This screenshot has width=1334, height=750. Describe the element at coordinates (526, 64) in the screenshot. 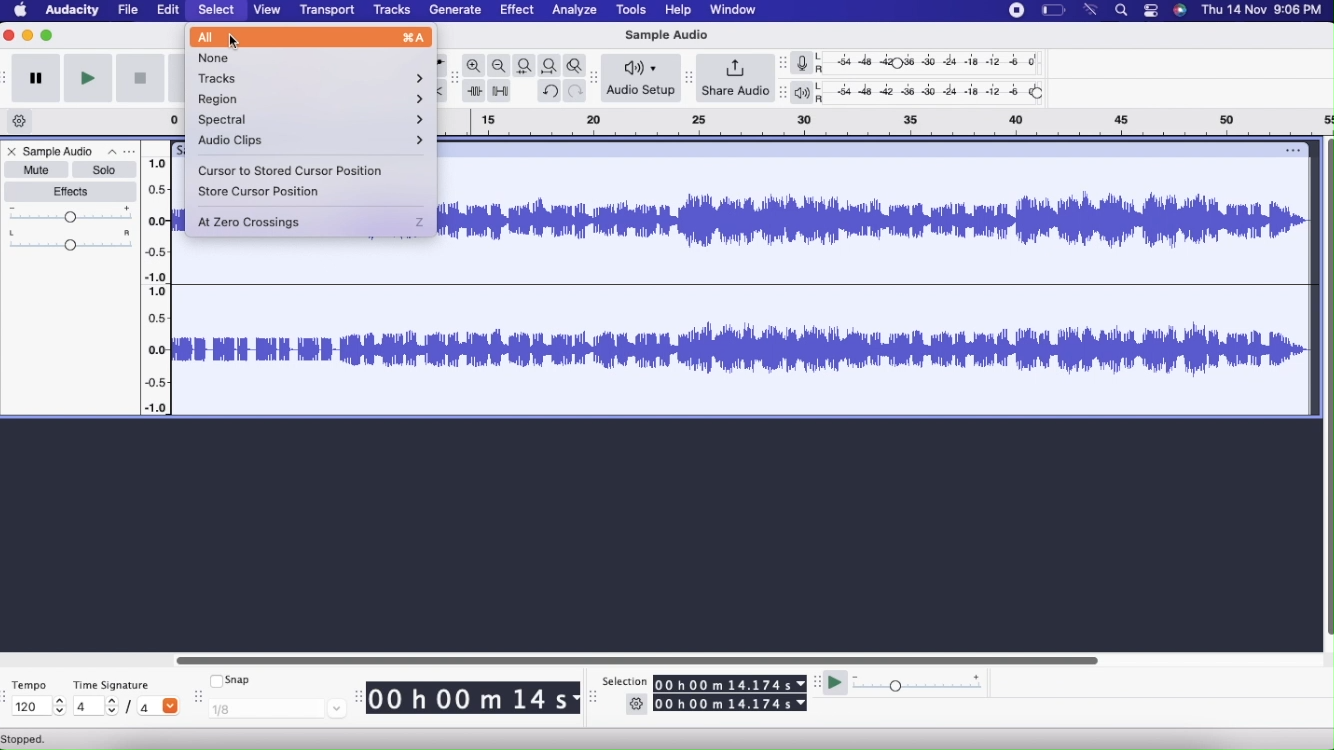

I see `Fit selection to width` at that location.